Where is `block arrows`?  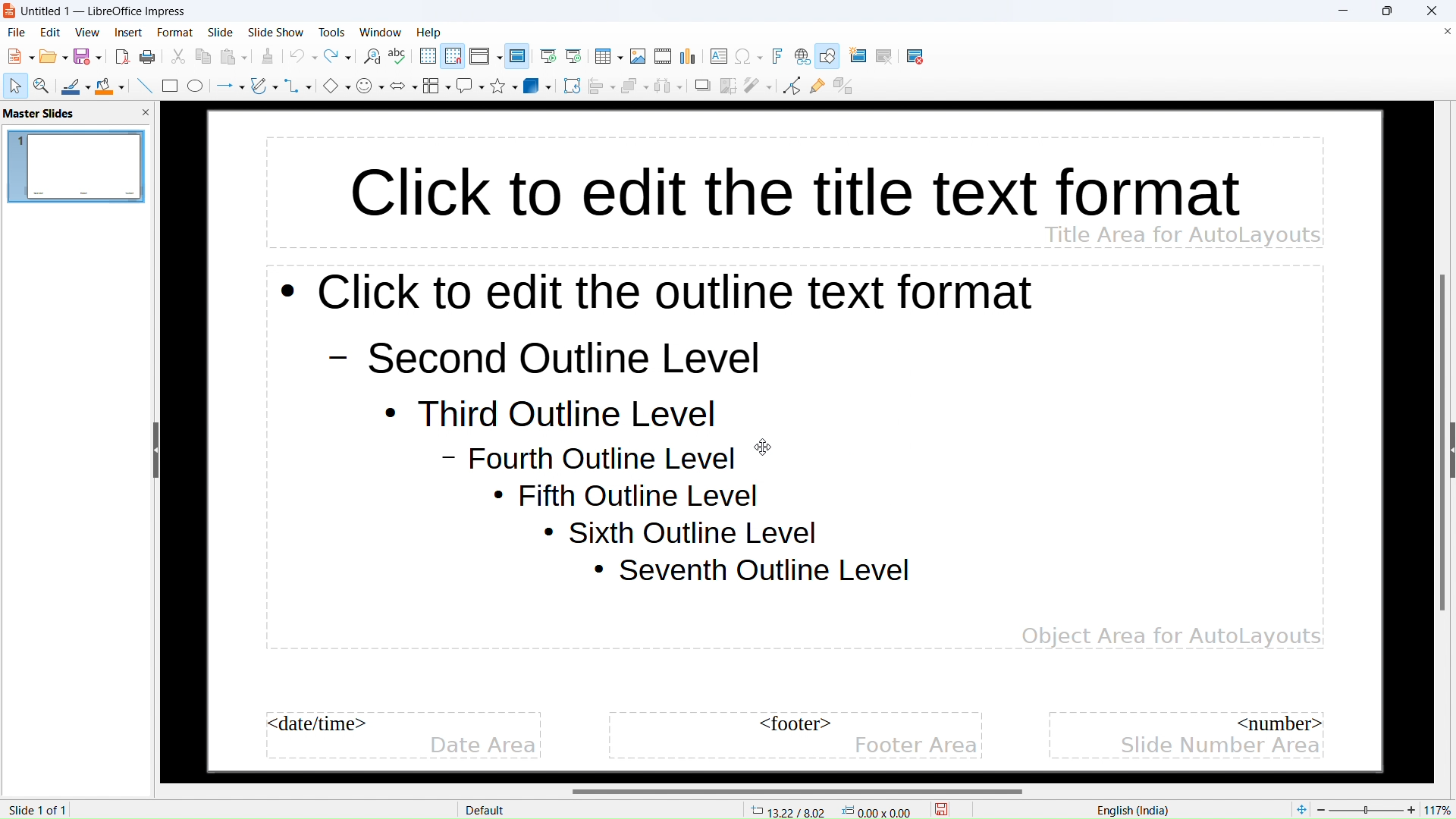 block arrows is located at coordinates (403, 85).